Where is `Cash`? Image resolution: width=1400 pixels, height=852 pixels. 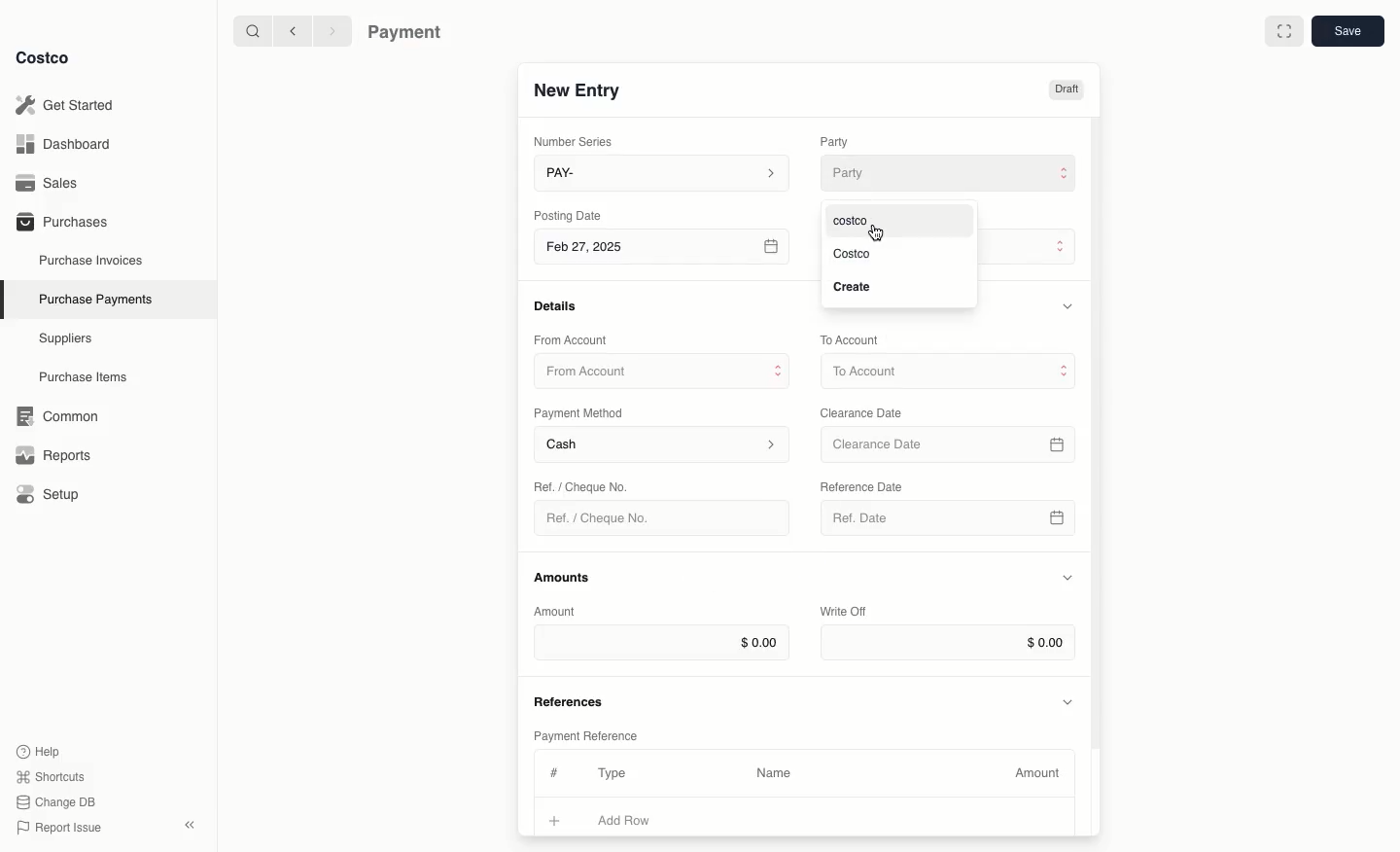 Cash is located at coordinates (663, 445).